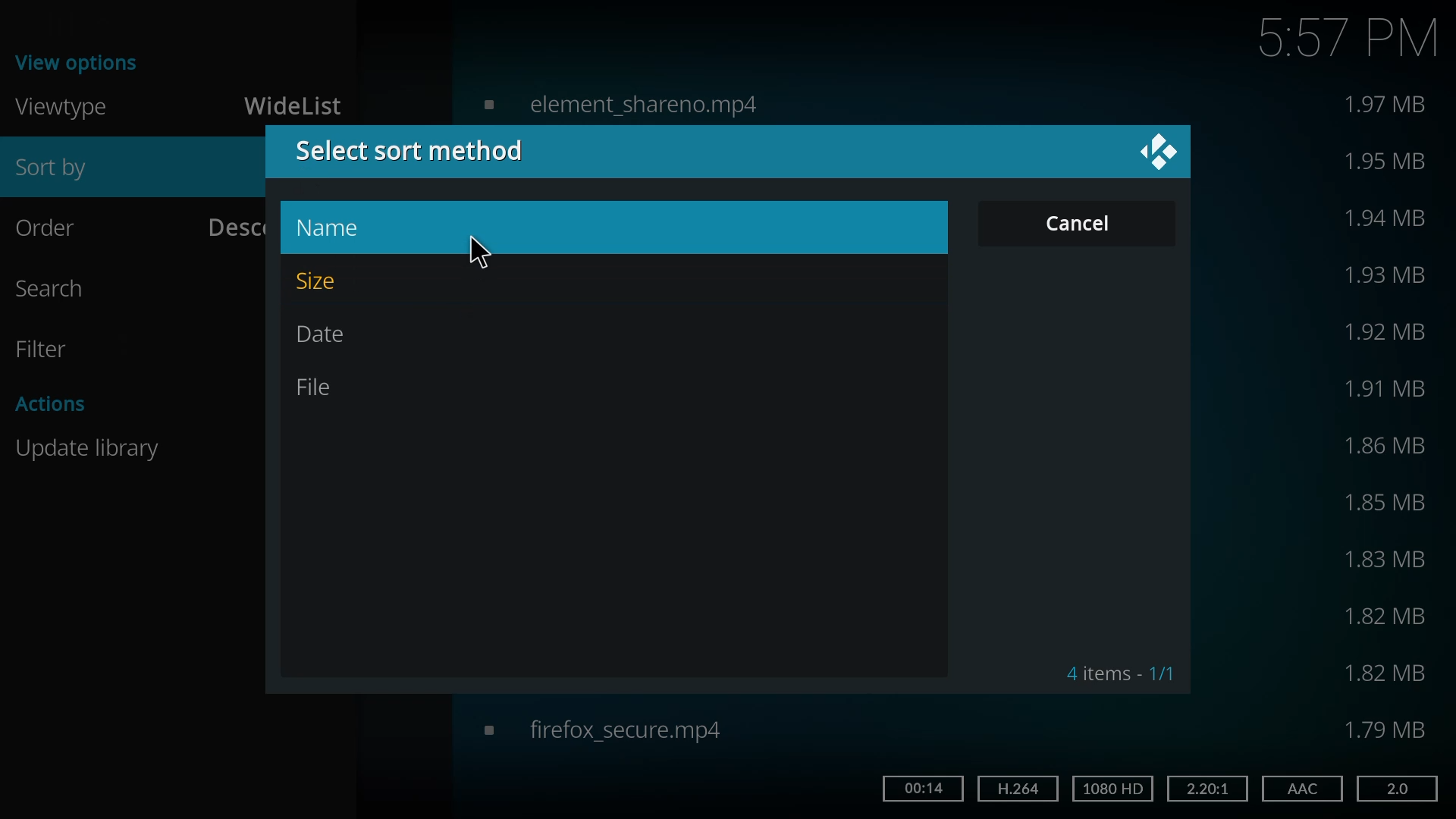 This screenshot has width=1456, height=819. Describe the element at coordinates (1300, 789) in the screenshot. I see `aac` at that location.